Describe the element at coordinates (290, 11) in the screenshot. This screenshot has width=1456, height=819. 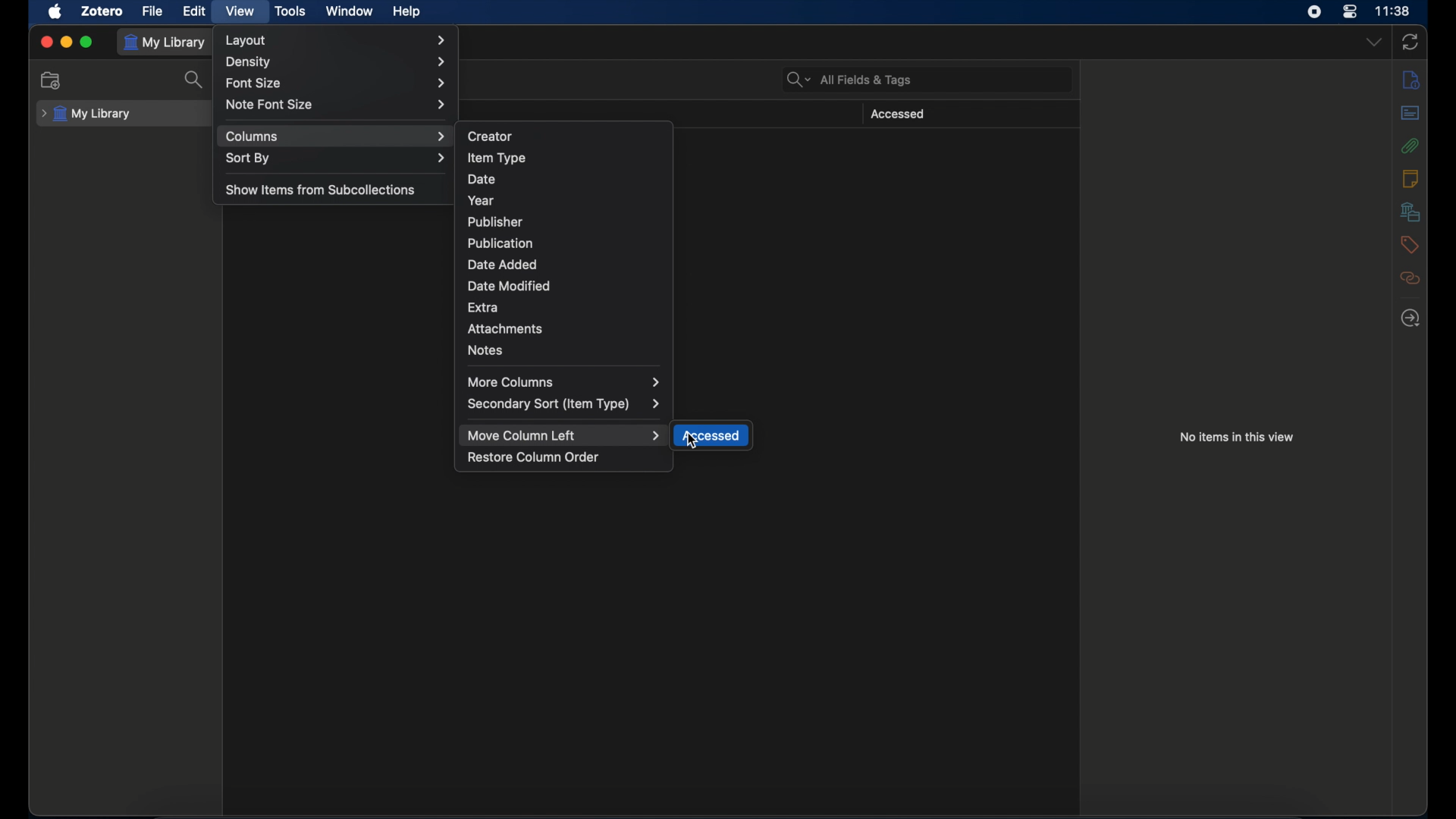
I see `tools` at that location.